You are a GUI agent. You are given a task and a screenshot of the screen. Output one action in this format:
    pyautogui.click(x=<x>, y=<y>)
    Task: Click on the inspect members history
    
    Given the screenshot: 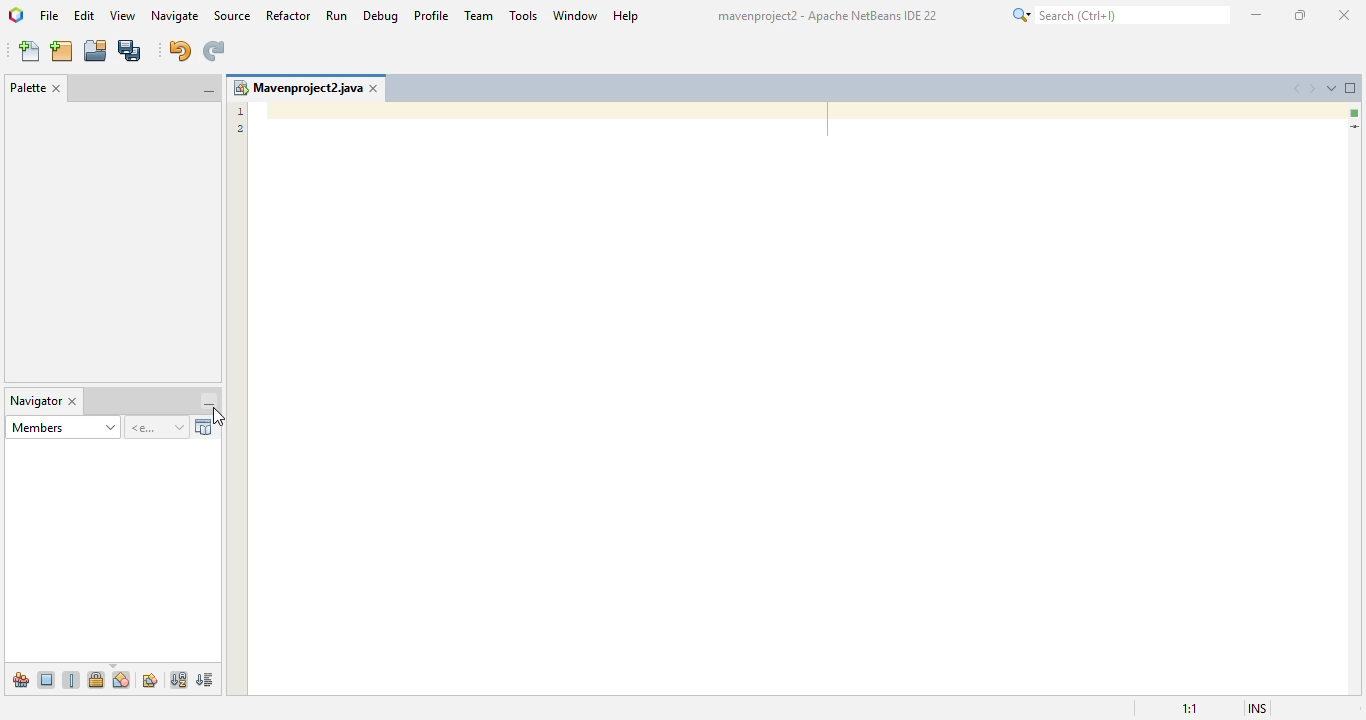 What is the action you would take?
    pyautogui.click(x=158, y=428)
    